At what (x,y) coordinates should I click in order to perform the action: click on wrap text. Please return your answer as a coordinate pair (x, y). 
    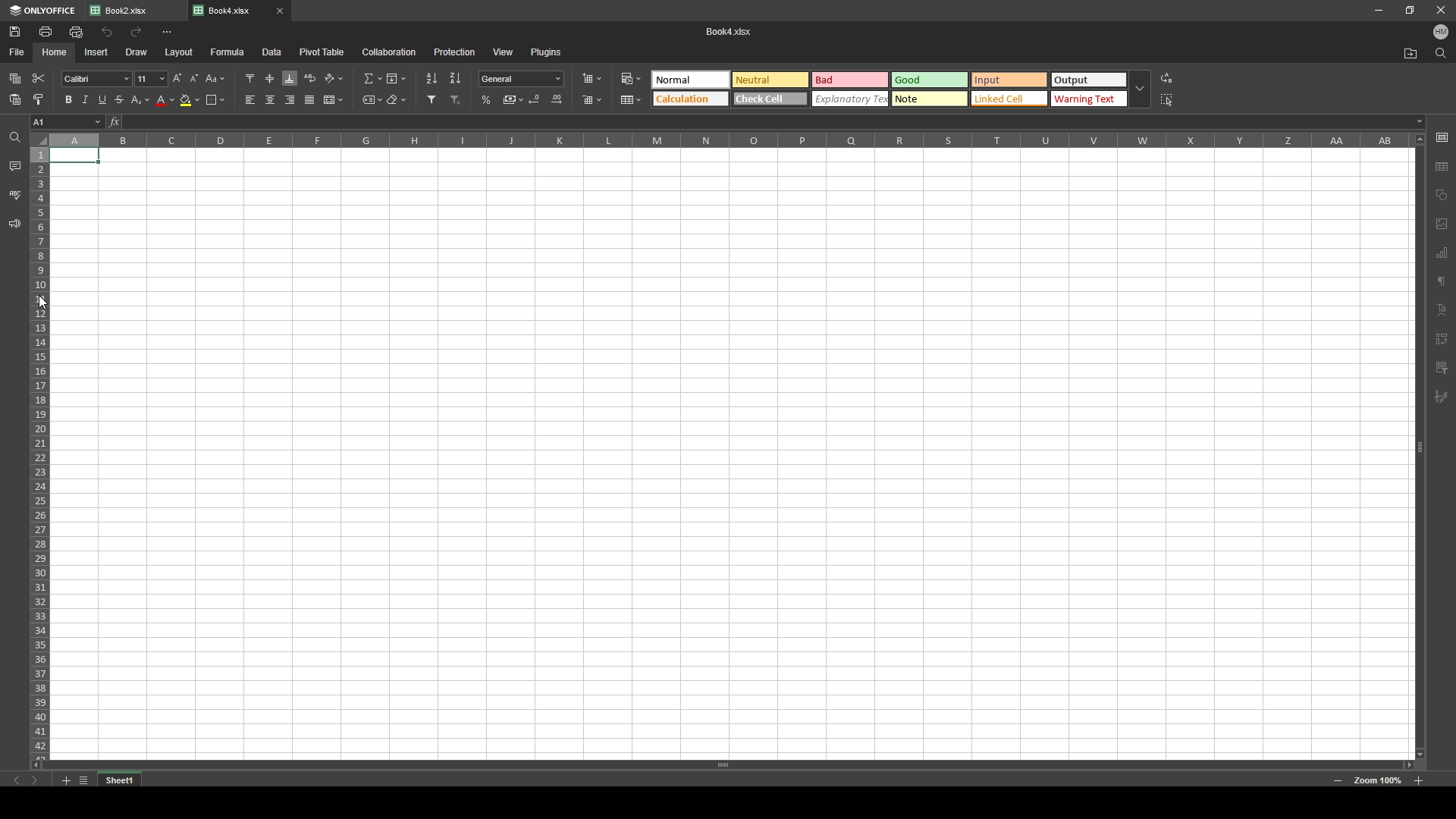
    Looking at the image, I should click on (312, 78).